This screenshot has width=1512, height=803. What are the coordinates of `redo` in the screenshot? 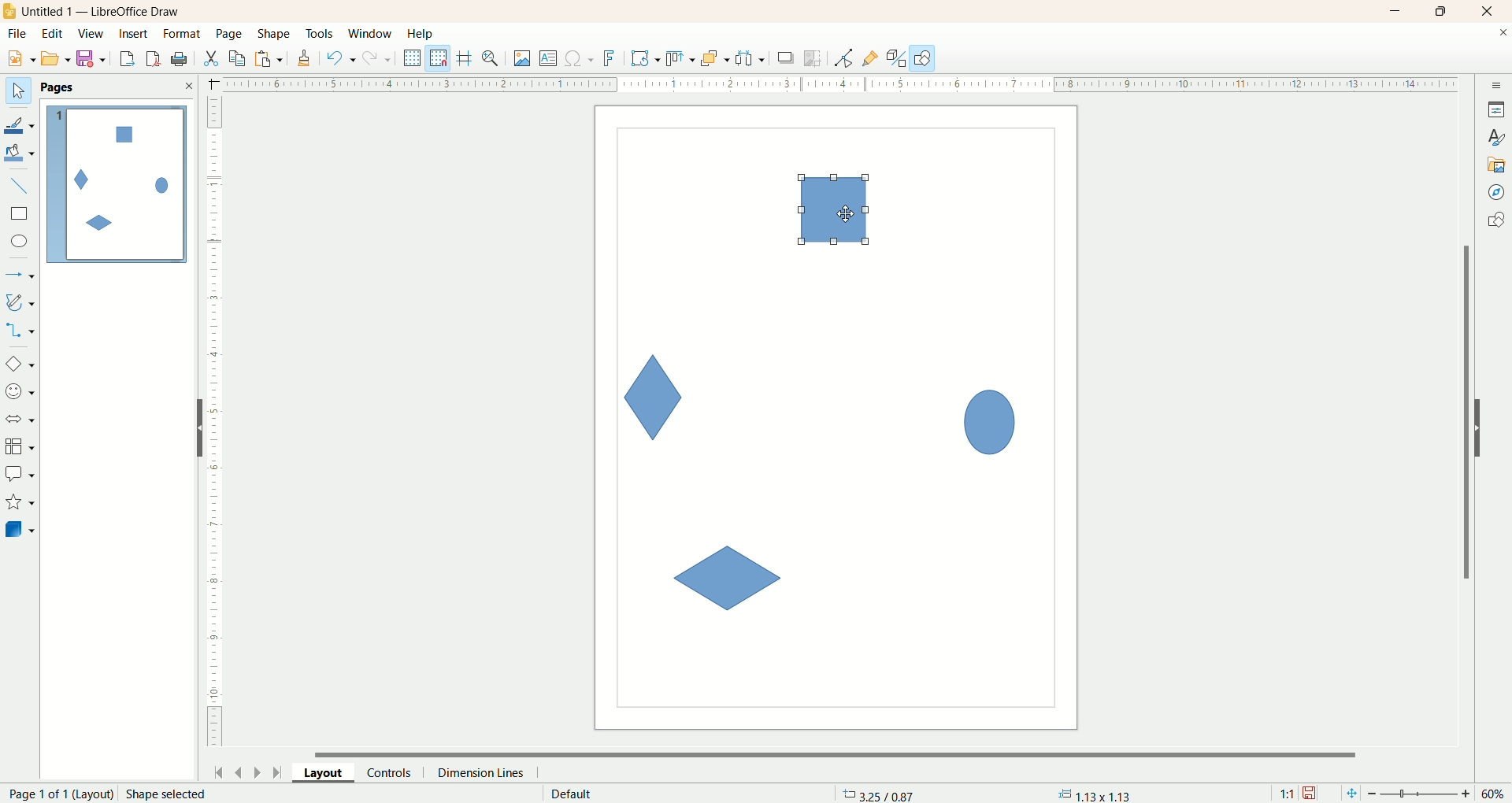 It's located at (380, 57).